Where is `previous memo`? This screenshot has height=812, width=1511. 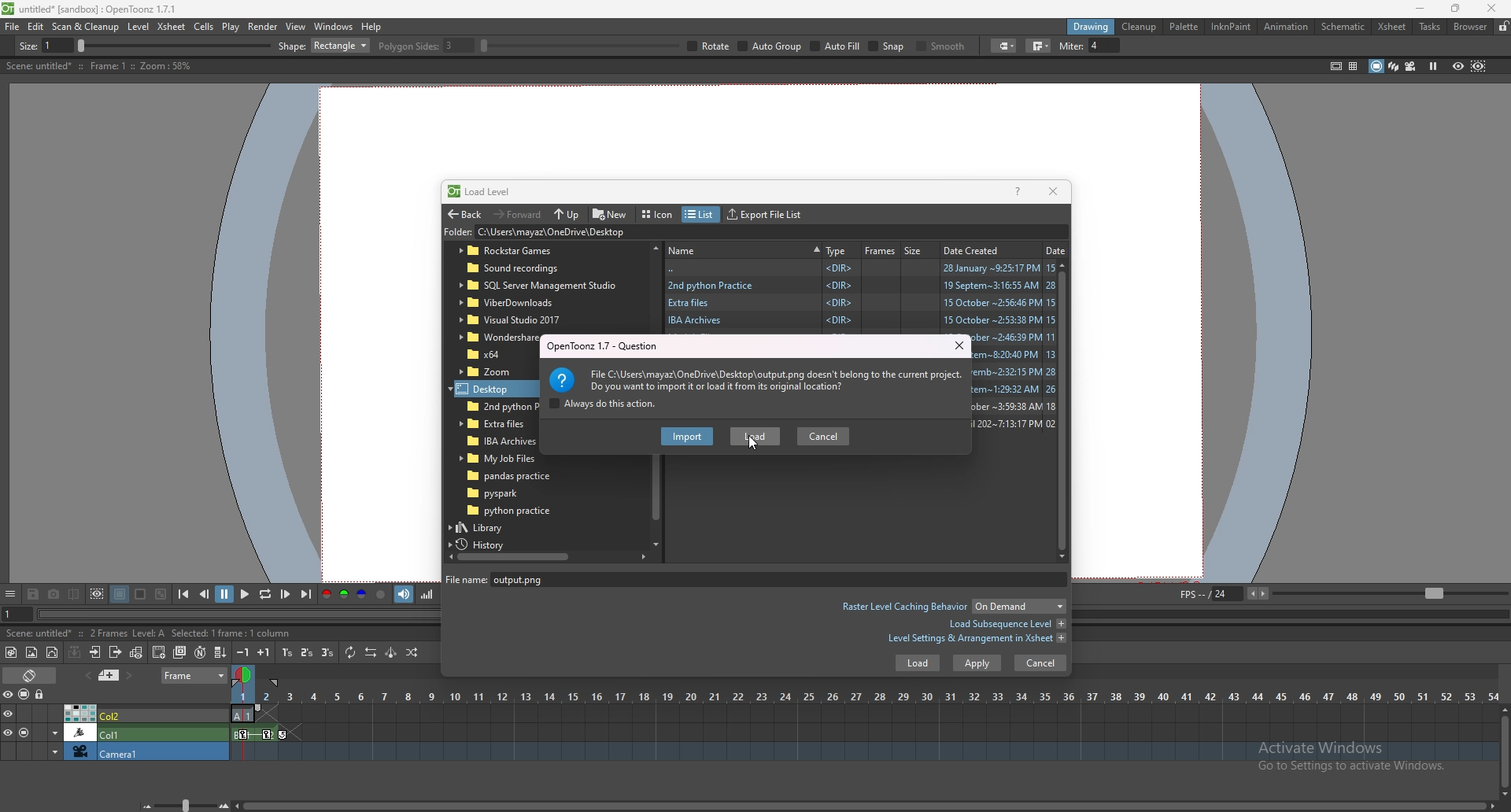 previous memo is located at coordinates (86, 675).